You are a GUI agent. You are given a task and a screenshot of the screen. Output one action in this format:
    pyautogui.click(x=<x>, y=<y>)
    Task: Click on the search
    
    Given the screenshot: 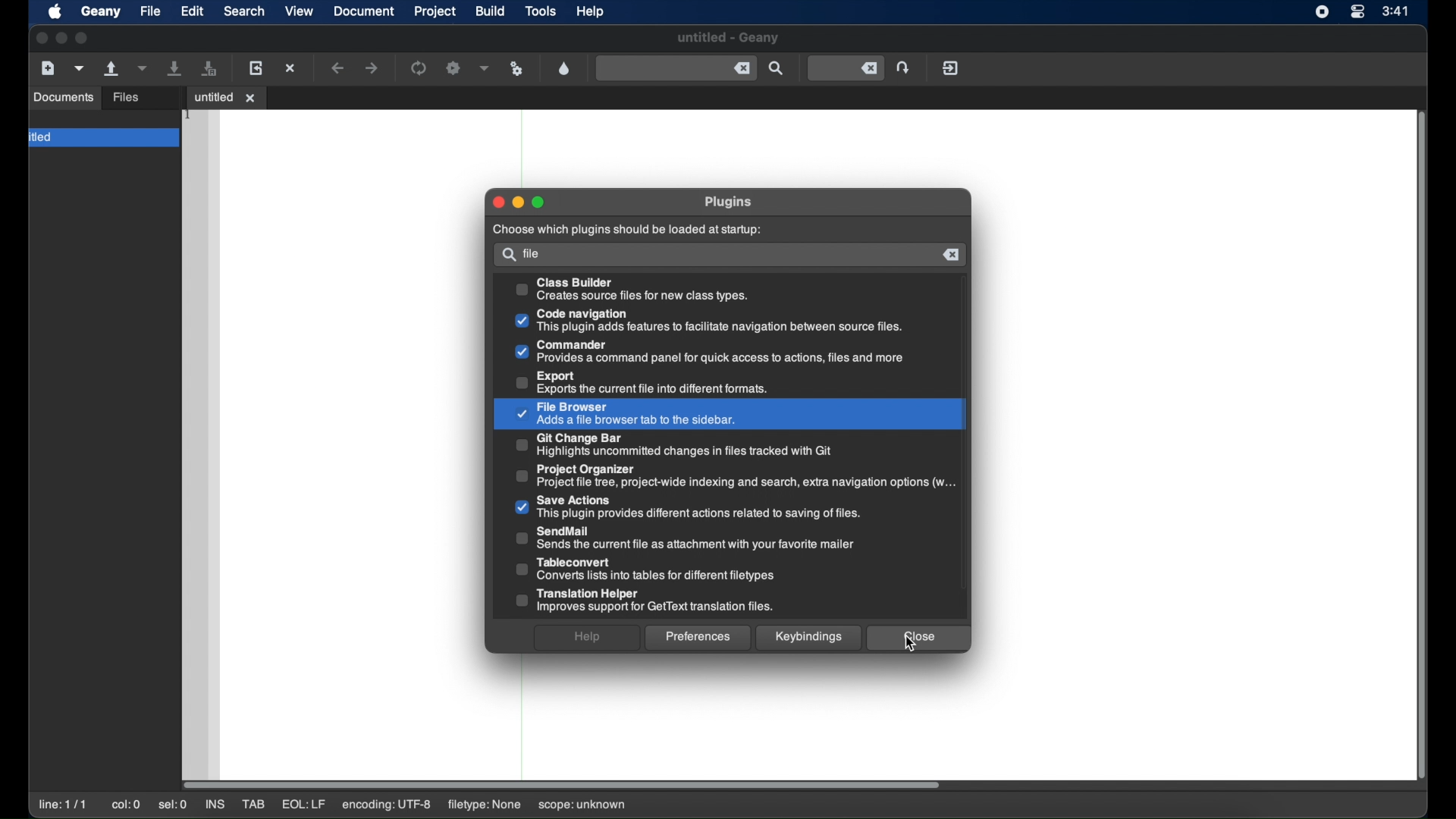 What is the action you would take?
    pyautogui.click(x=244, y=11)
    